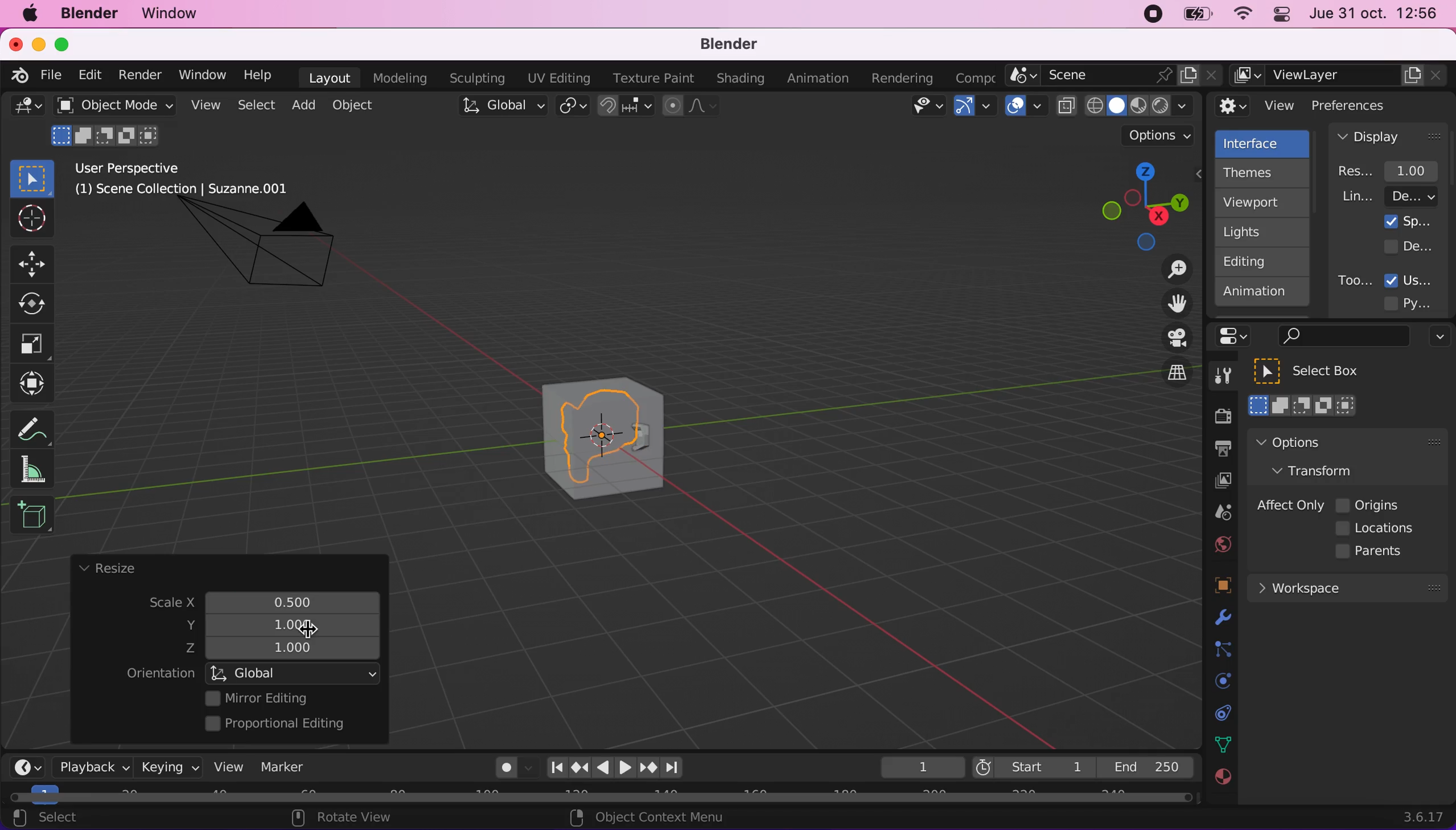  I want to click on file, so click(49, 75).